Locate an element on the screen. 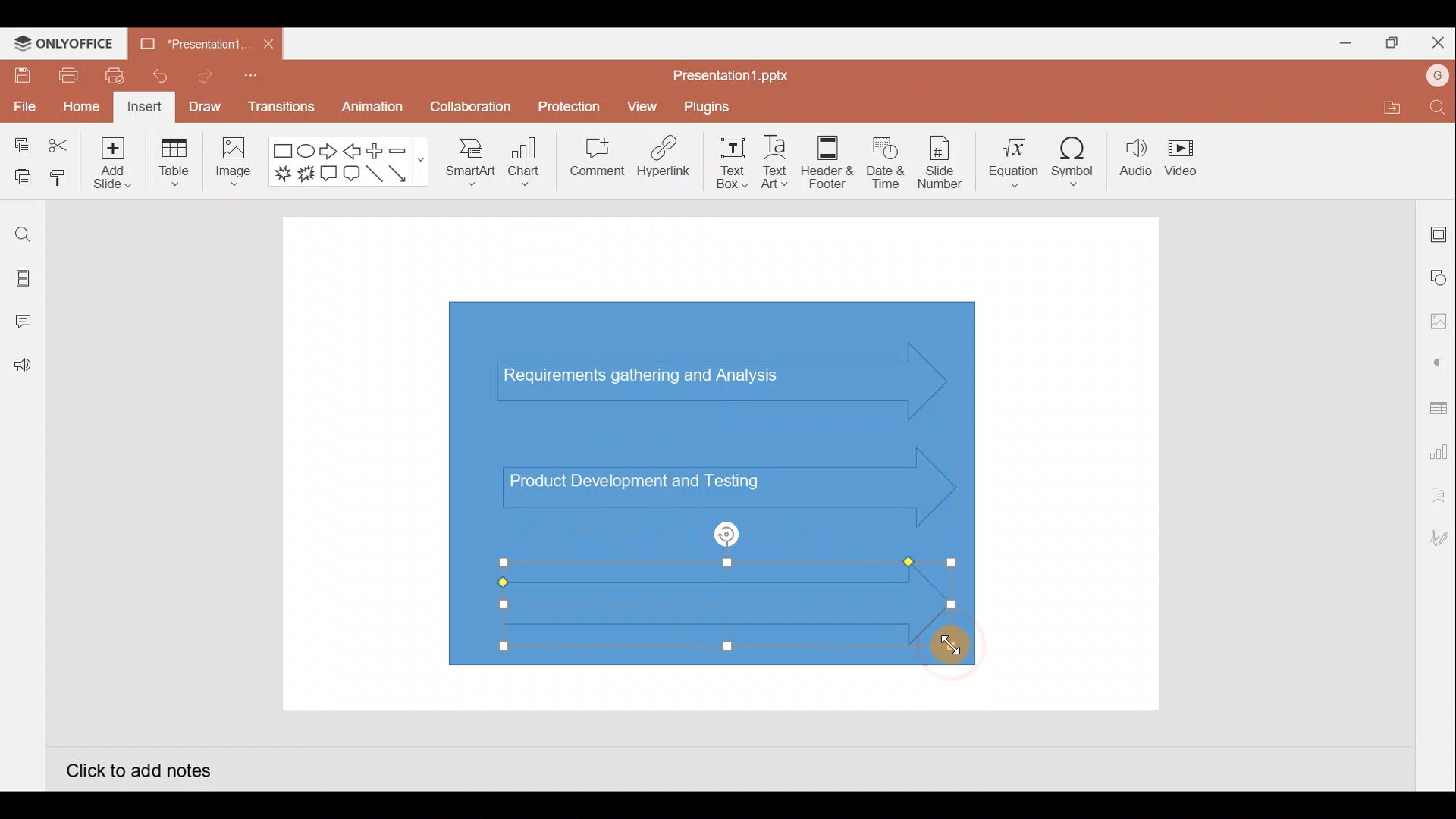 The width and height of the screenshot is (1456, 819). Find is located at coordinates (23, 234).